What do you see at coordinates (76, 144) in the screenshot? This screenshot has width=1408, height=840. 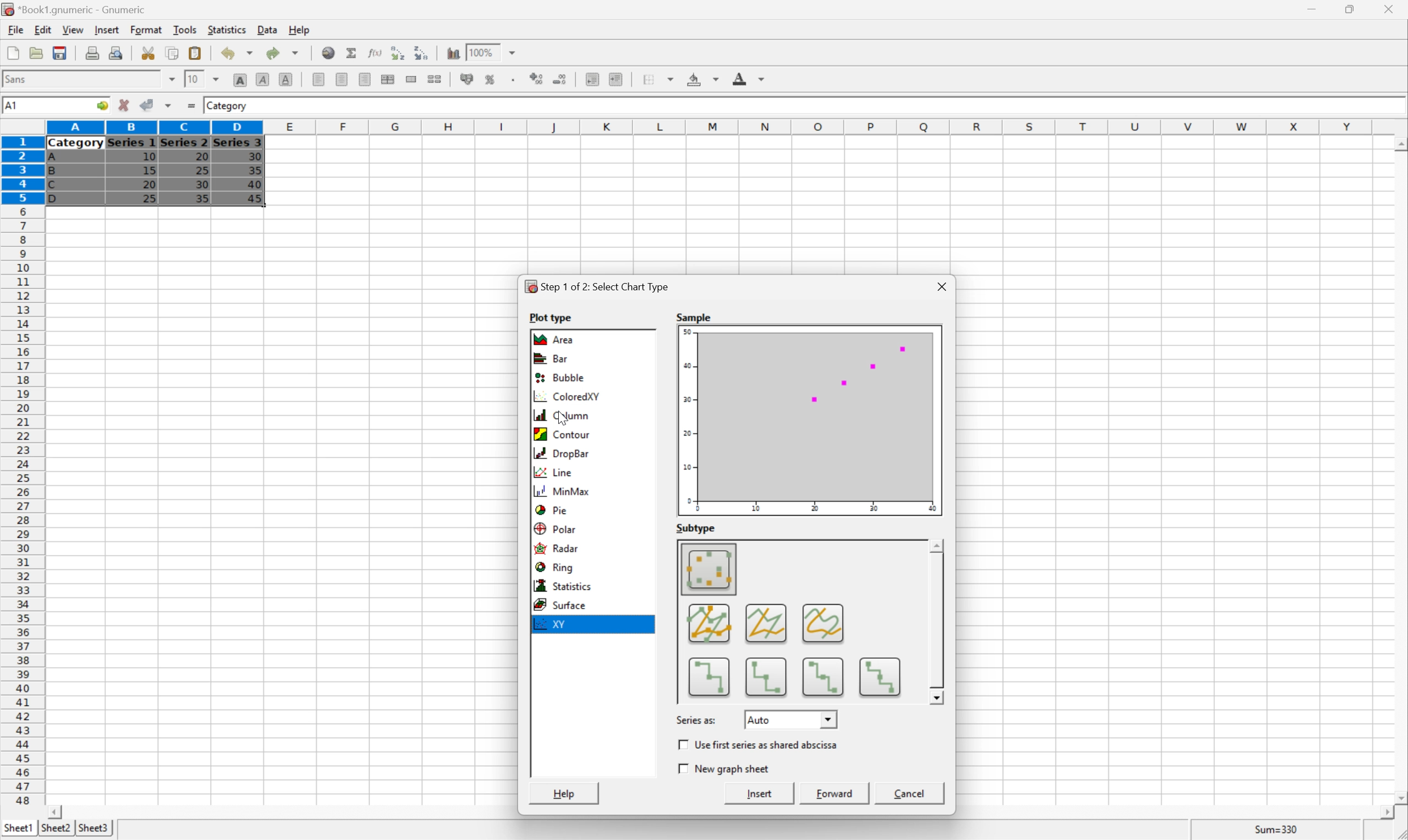 I see `Category` at bounding box center [76, 144].